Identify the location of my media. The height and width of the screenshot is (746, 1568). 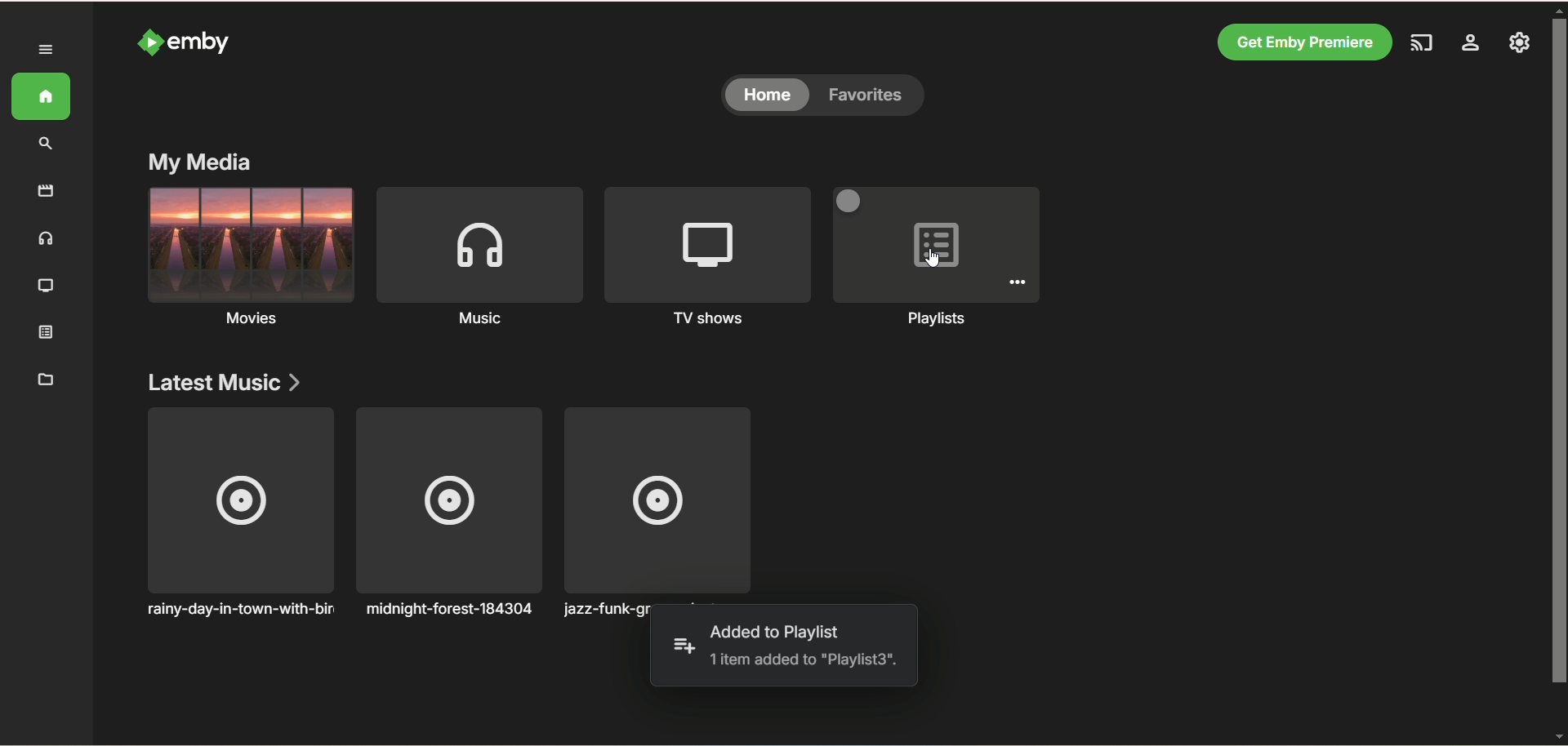
(200, 161).